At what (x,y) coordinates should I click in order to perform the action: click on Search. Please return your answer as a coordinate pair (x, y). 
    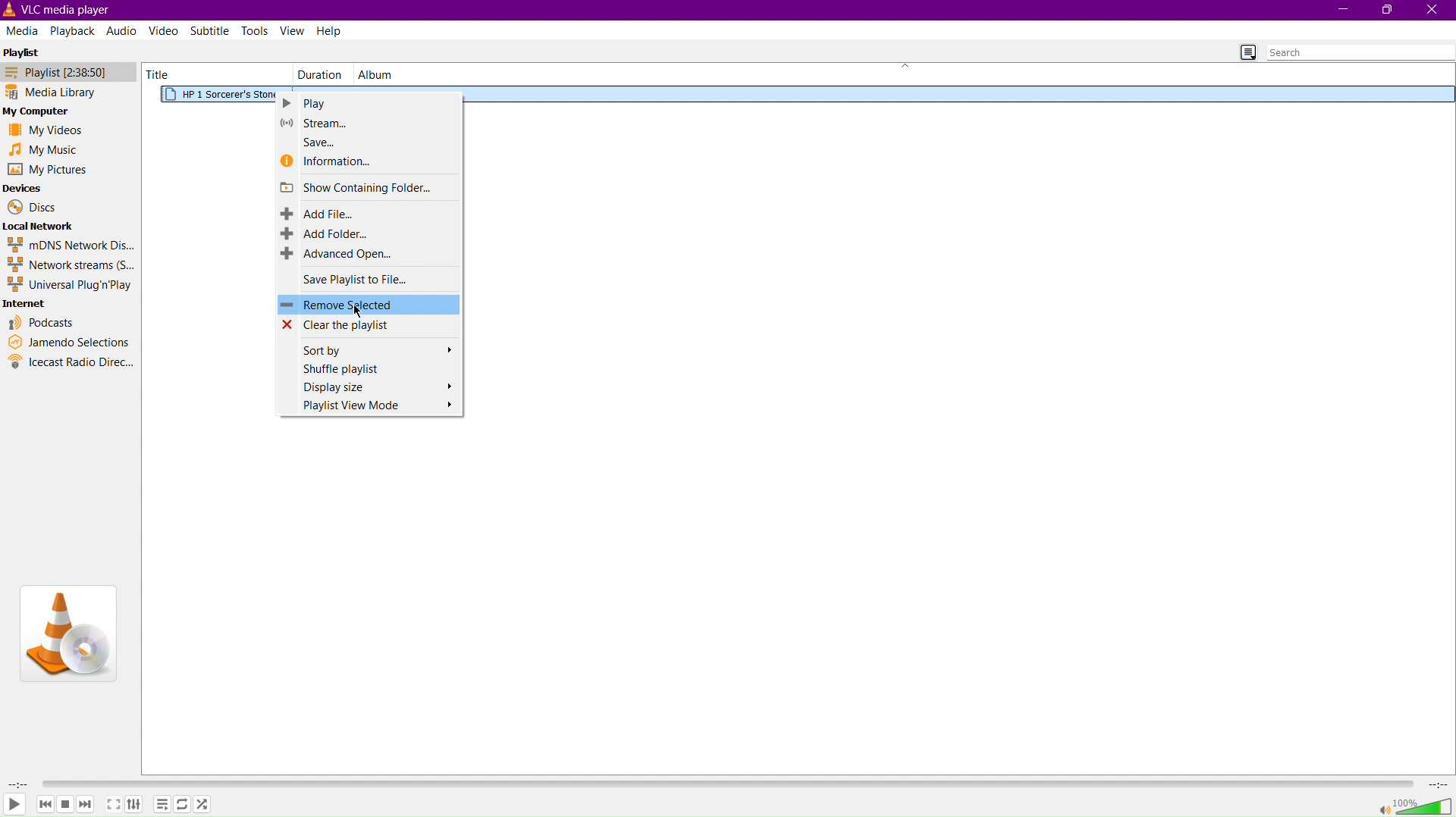
    Looking at the image, I should click on (1360, 52).